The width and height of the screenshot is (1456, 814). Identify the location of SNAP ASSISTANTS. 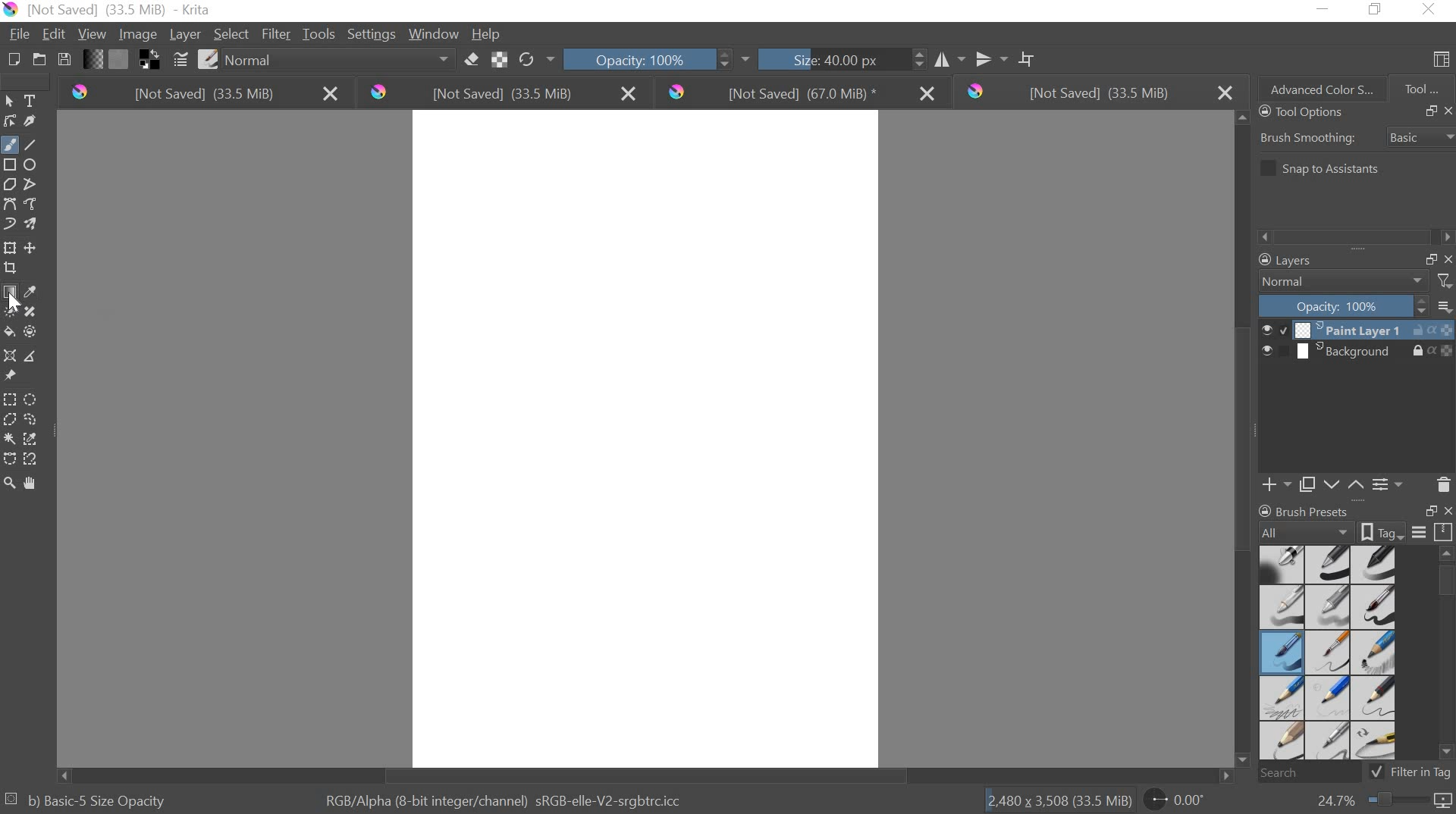
(1323, 169).